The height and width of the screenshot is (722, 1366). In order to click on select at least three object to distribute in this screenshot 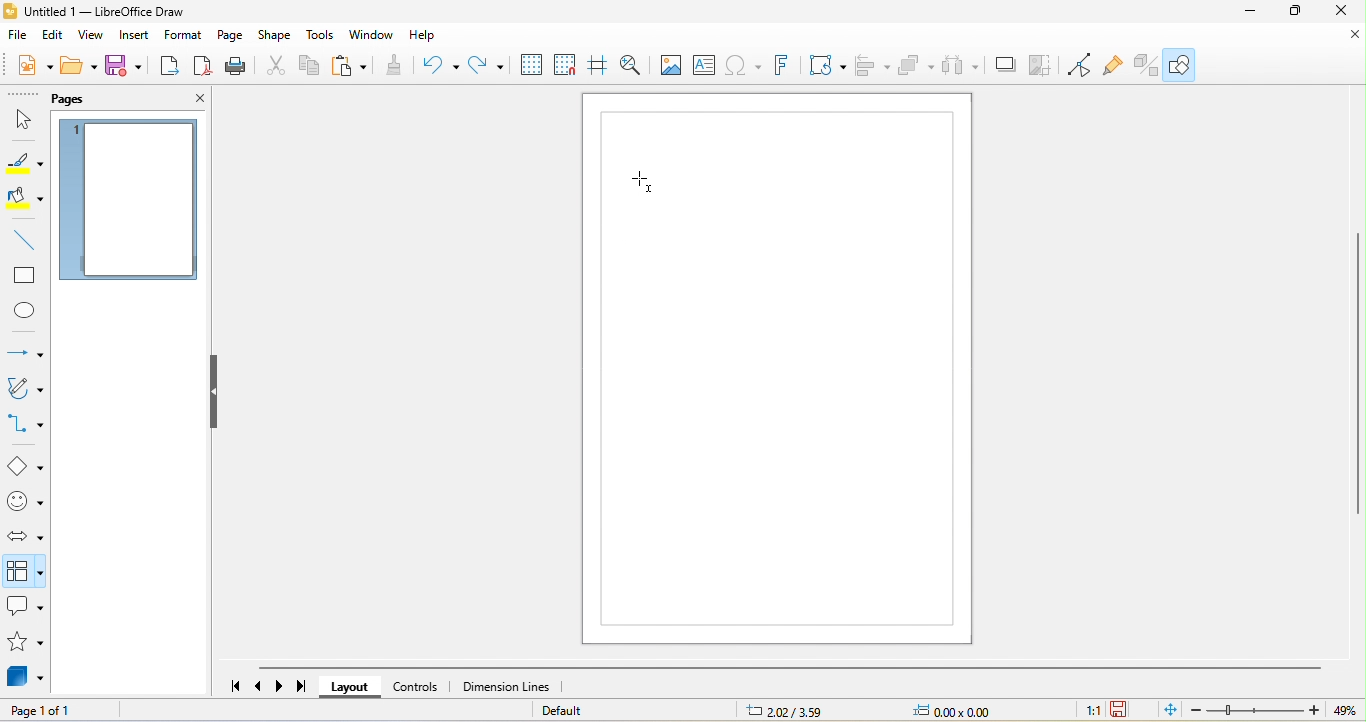, I will do `click(967, 66)`.